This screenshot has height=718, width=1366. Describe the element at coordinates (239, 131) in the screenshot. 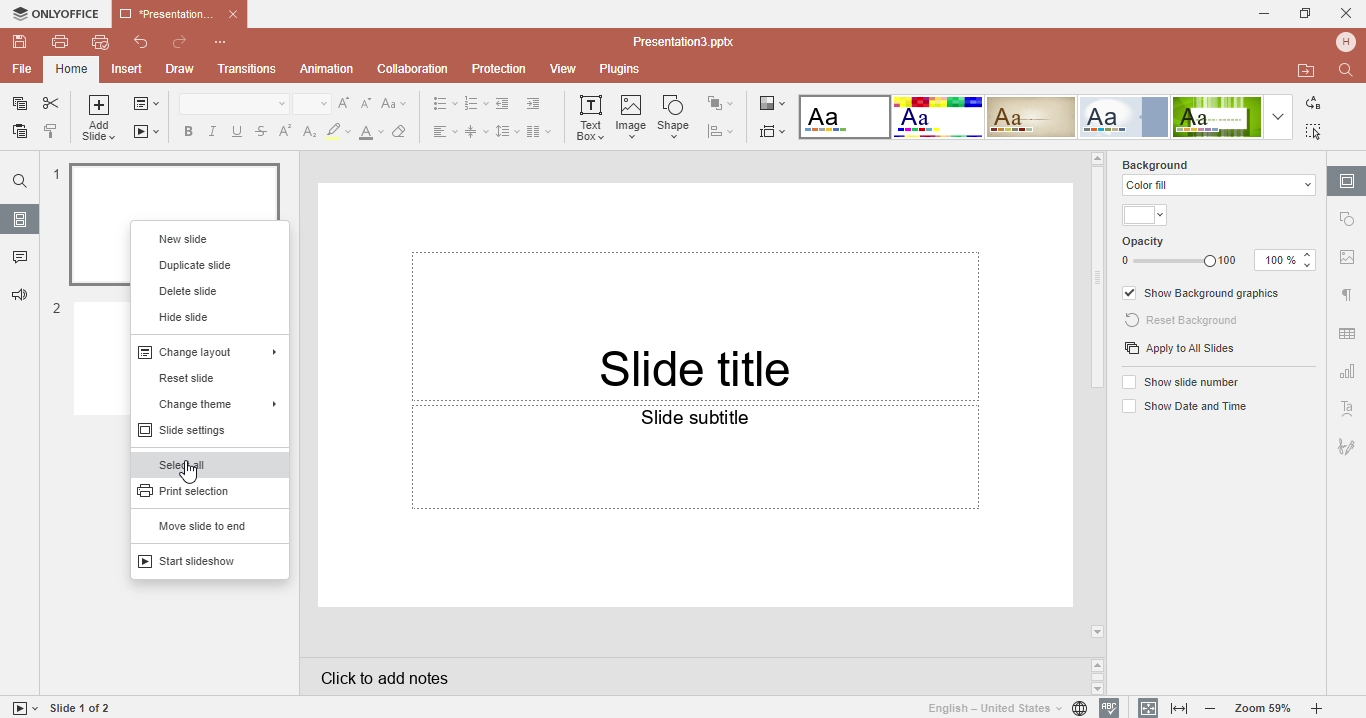

I see `Underline` at that location.